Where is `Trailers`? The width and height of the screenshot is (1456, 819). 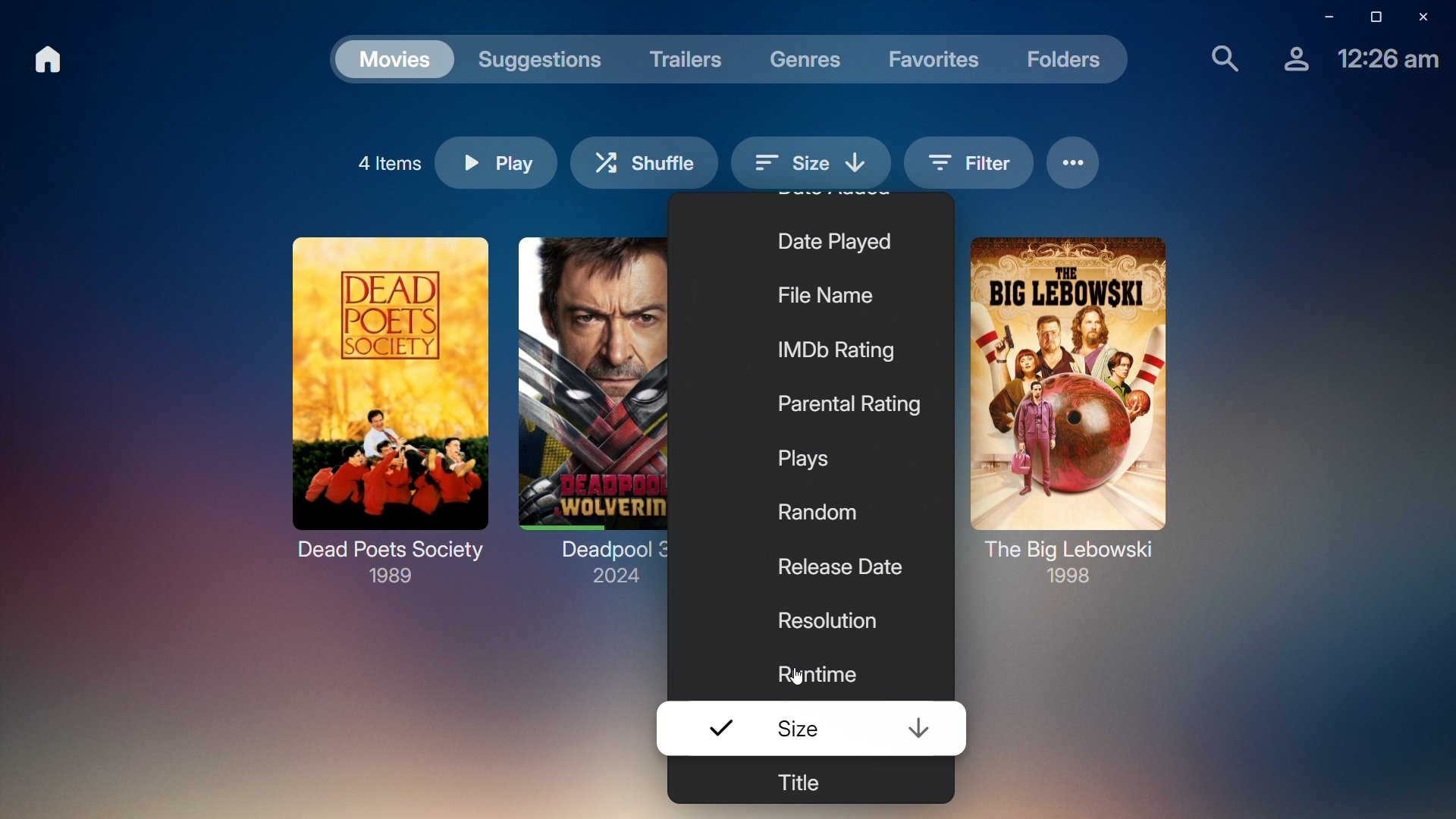
Trailers is located at coordinates (686, 57).